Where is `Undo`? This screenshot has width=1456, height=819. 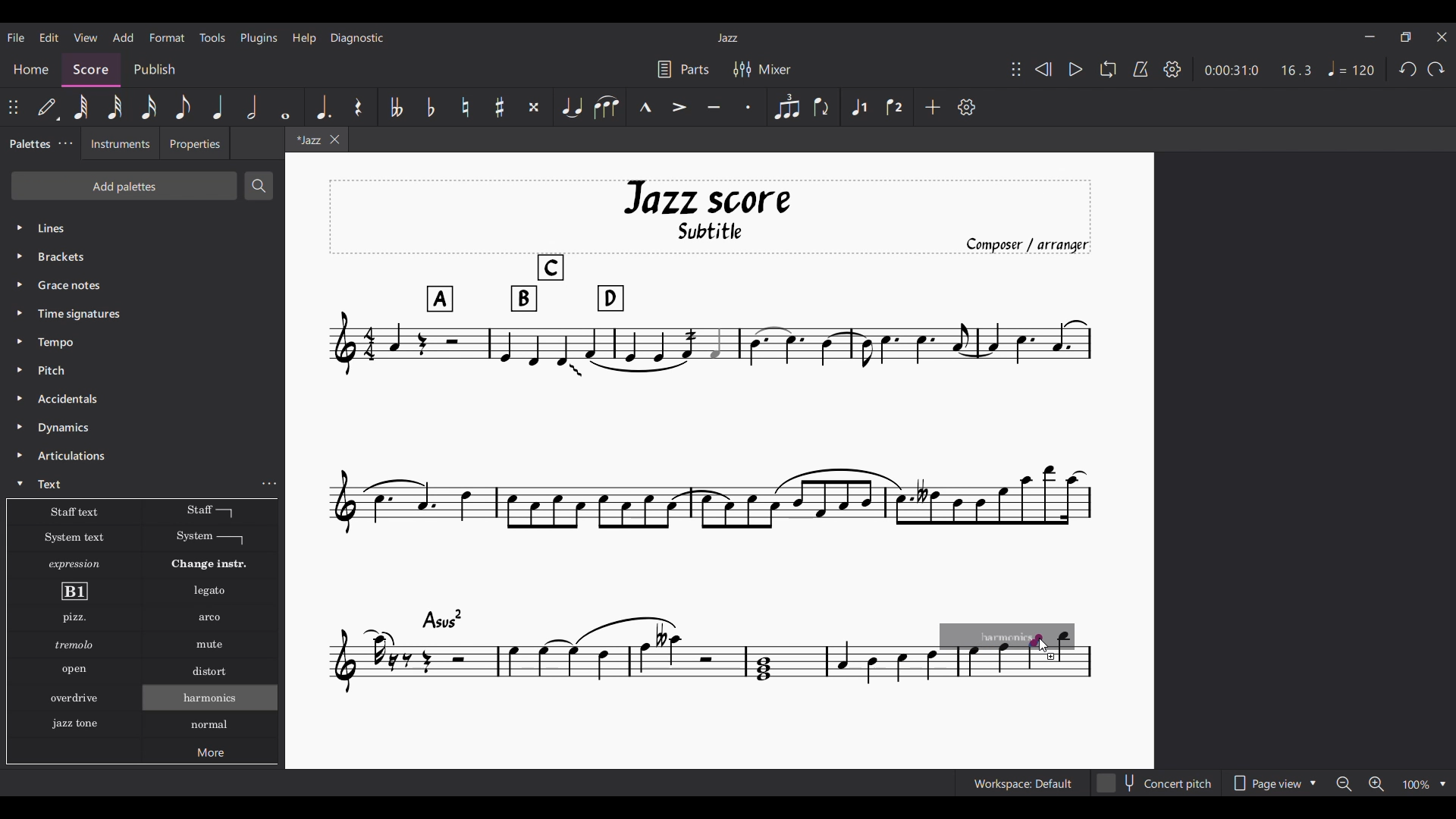
Undo is located at coordinates (1408, 69).